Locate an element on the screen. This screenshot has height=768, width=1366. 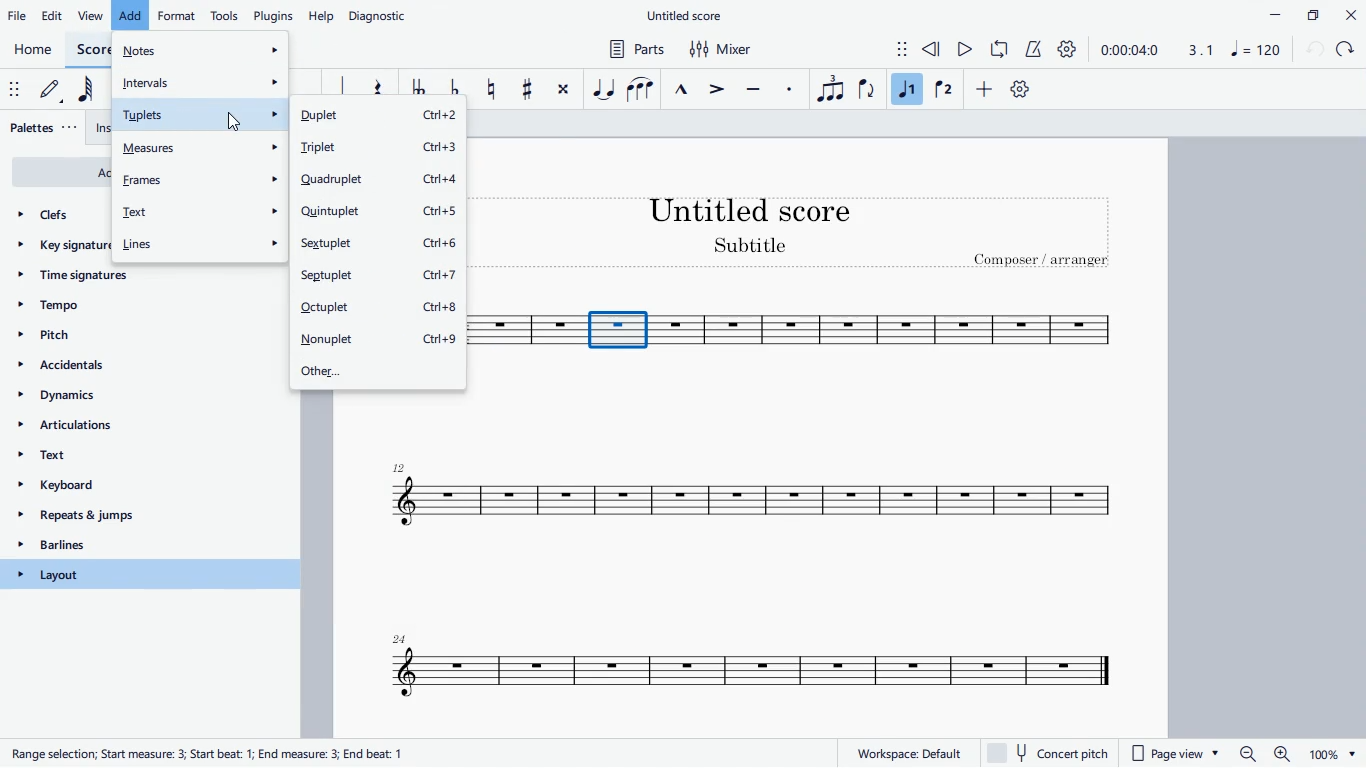
tie is located at coordinates (603, 88).